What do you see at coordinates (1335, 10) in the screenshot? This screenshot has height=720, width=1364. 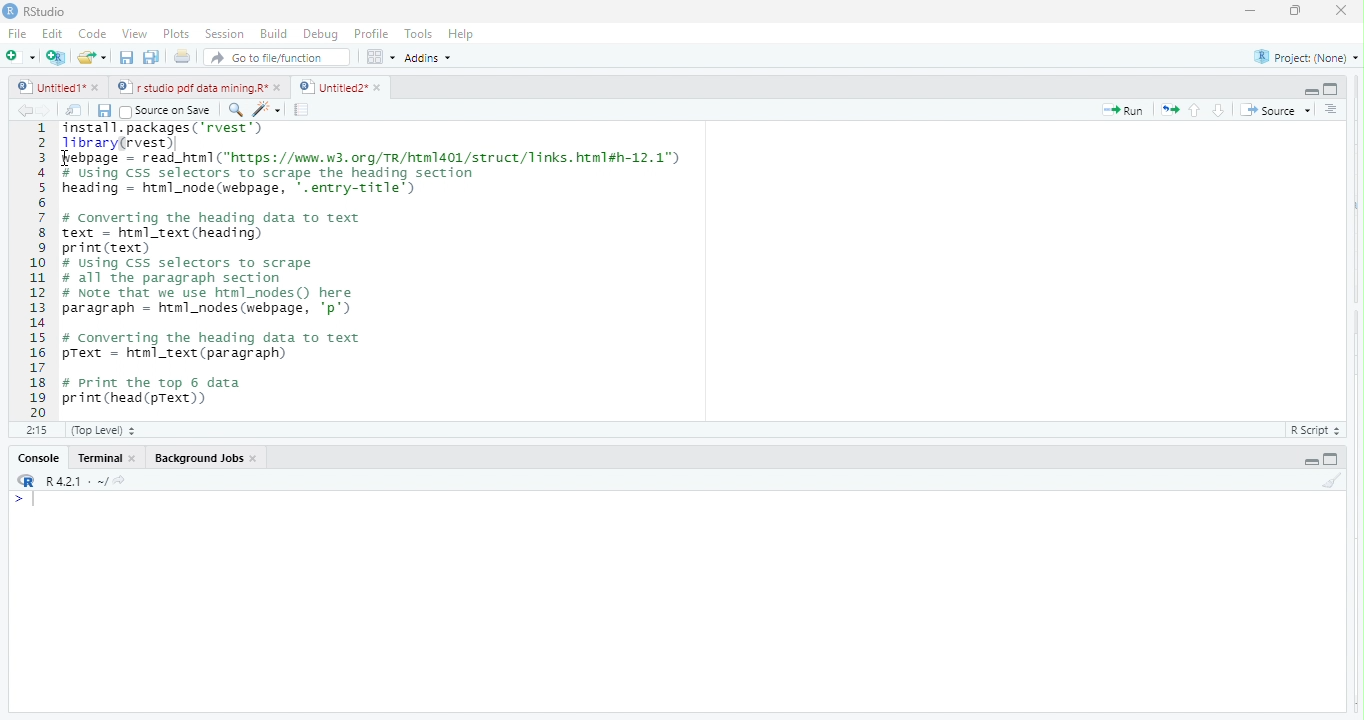 I see `close` at bounding box center [1335, 10].